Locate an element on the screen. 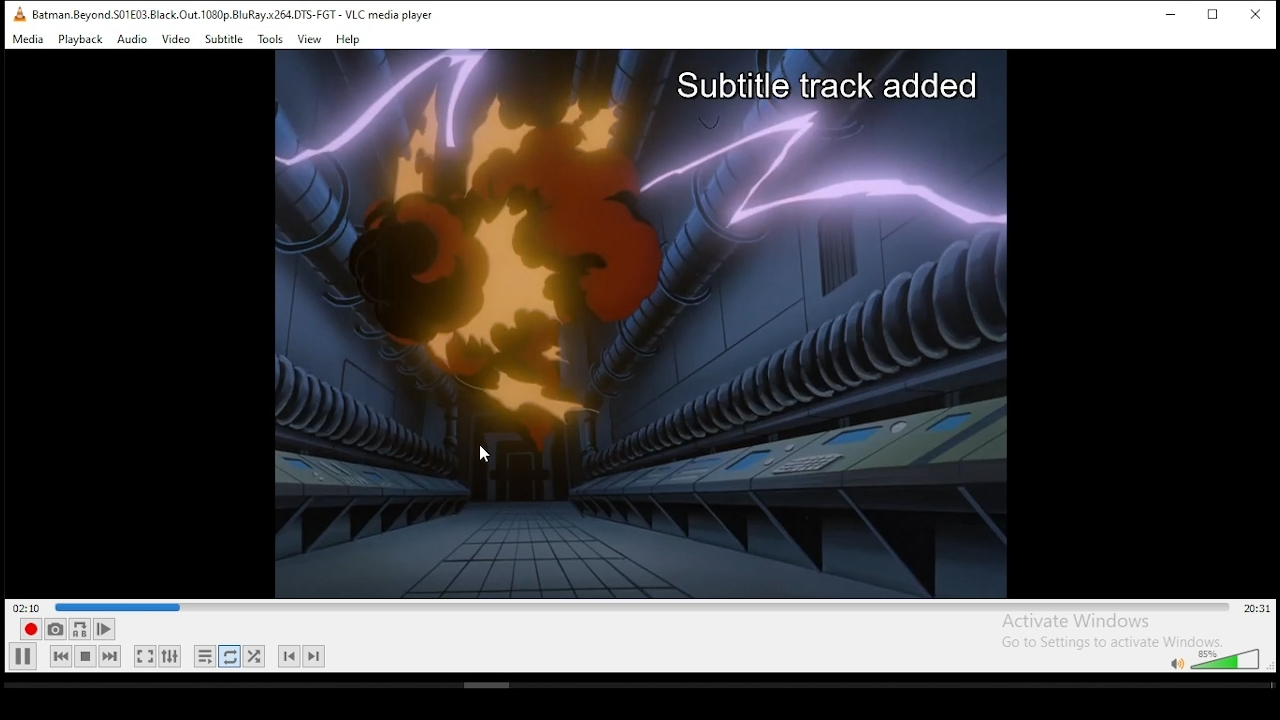 Image resolution: width=1280 pixels, height=720 pixels. subtitle is located at coordinates (224, 39).